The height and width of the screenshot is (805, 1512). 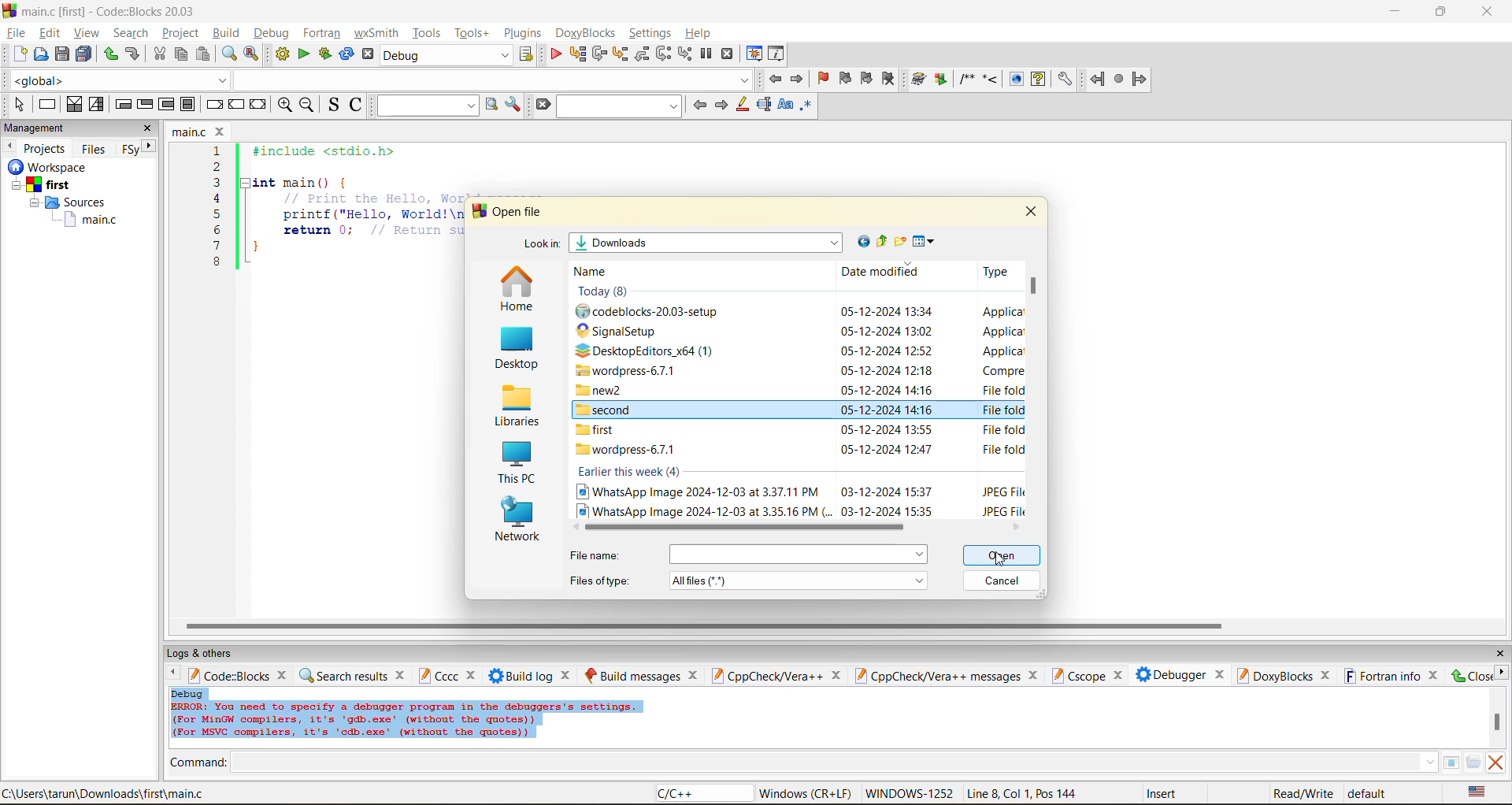 I want to click on open, so click(x=42, y=54).